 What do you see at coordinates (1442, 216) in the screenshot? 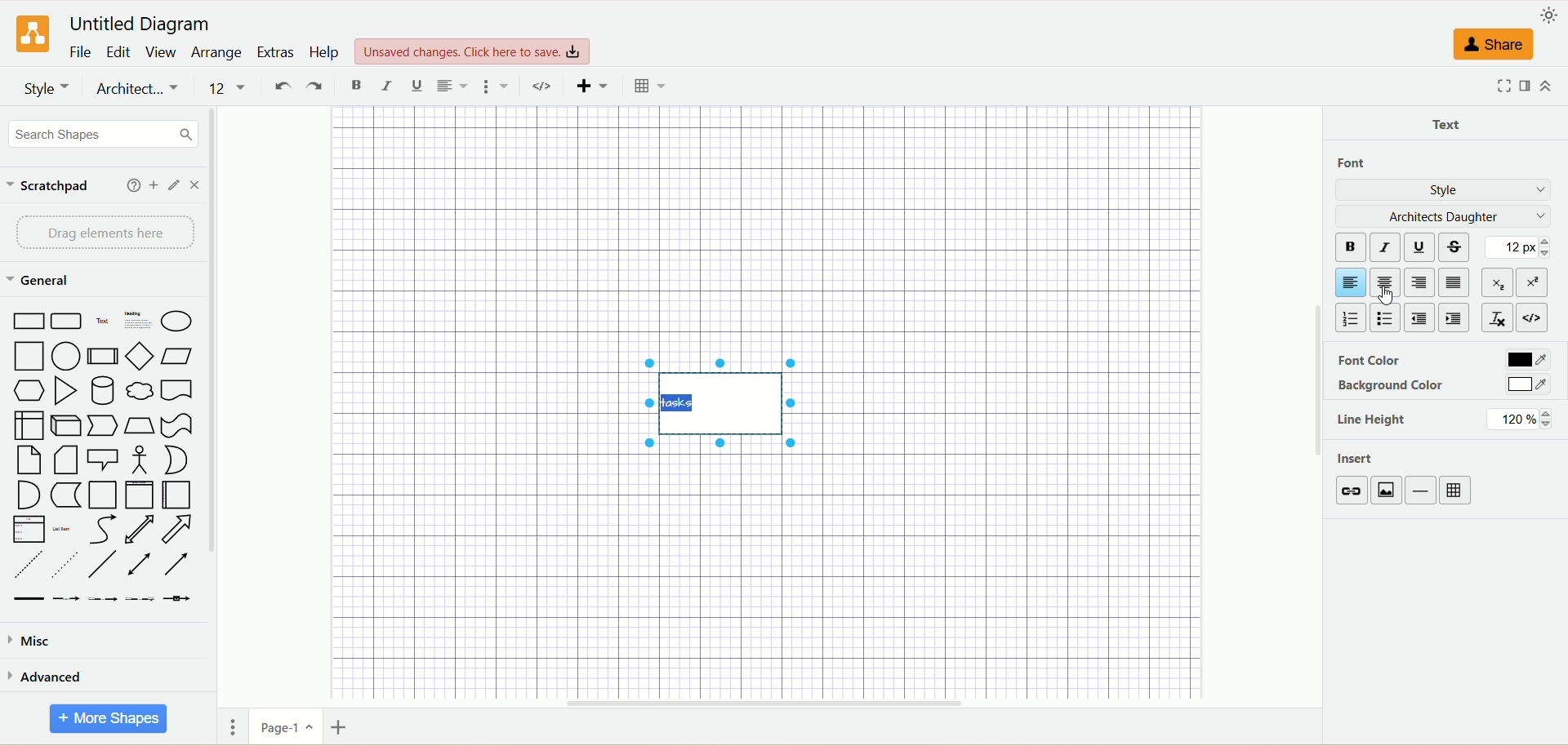
I see `architects daughter` at bounding box center [1442, 216].